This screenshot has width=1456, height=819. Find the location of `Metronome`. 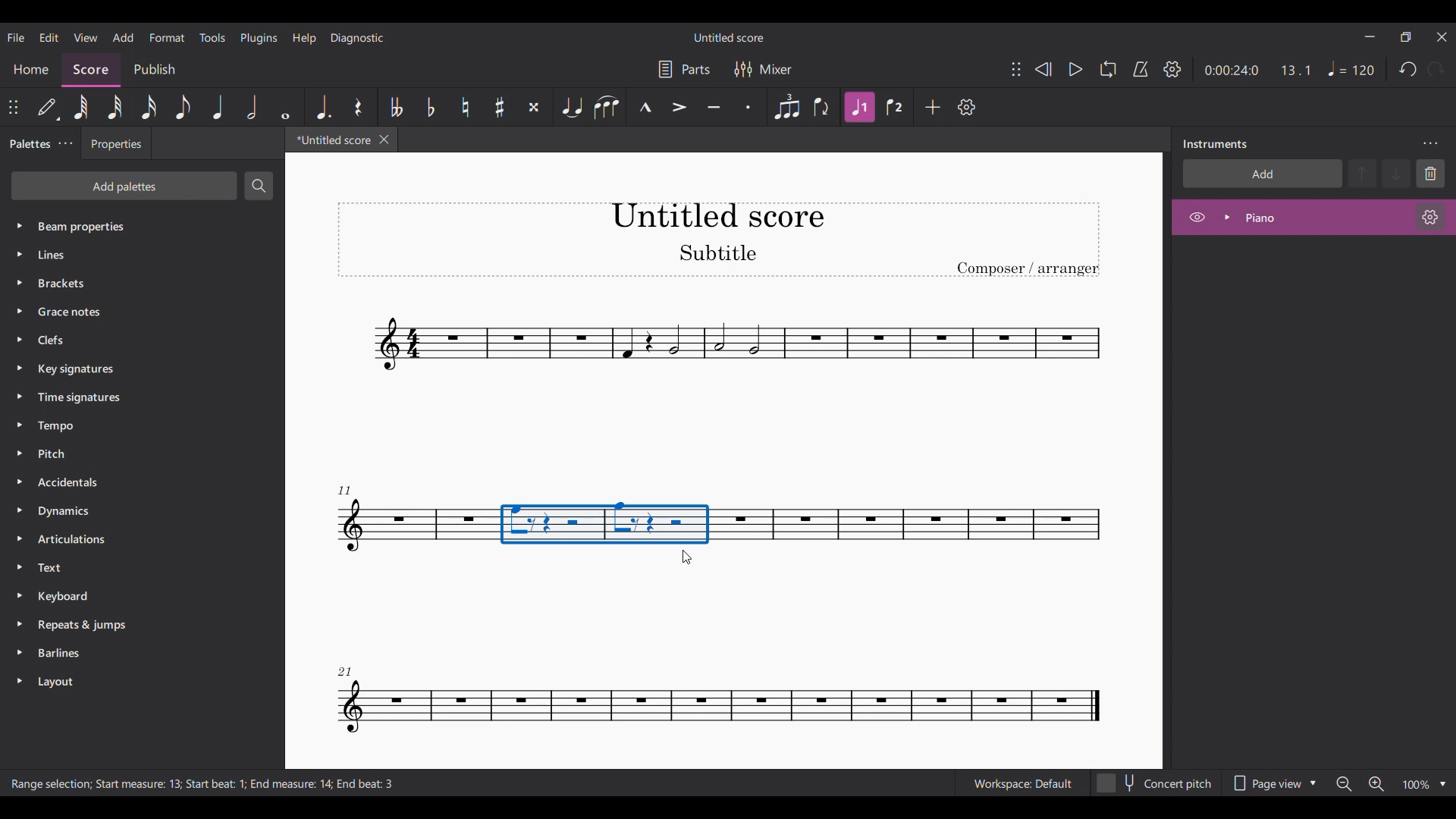

Metronome is located at coordinates (1141, 69).